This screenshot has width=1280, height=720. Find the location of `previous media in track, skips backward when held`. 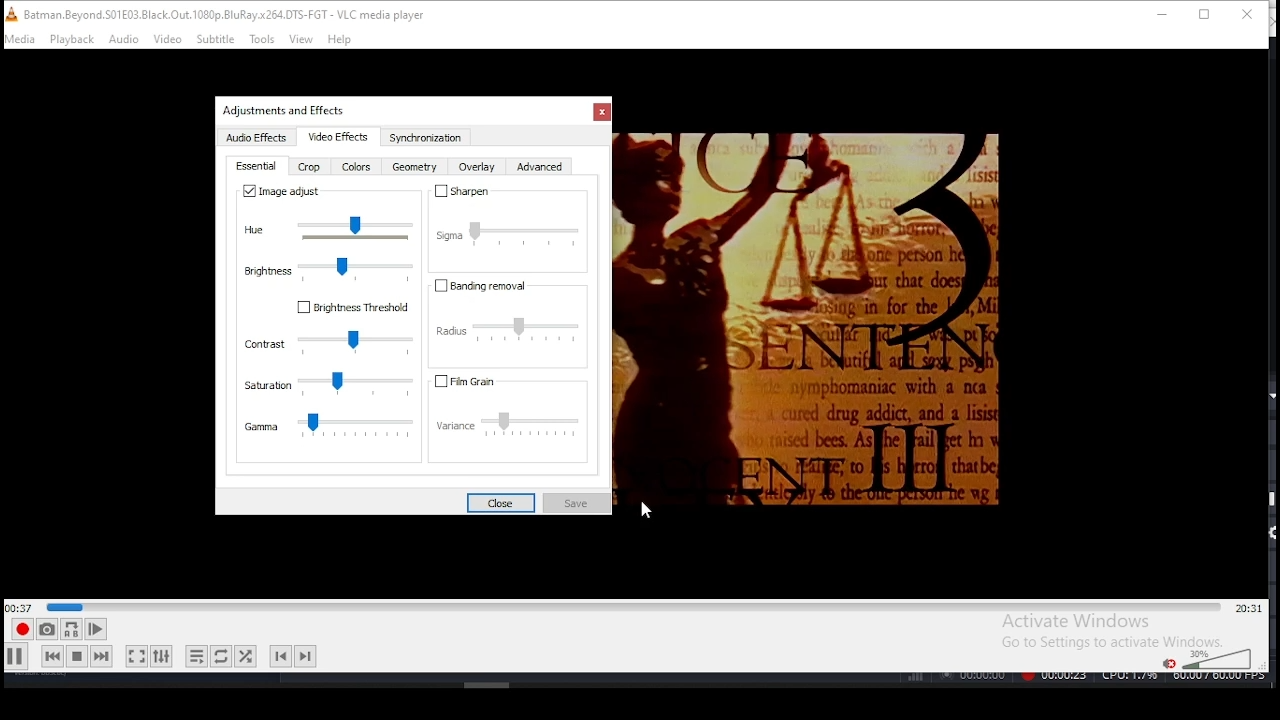

previous media in track, skips backward when held is located at coordinates (51, 658).